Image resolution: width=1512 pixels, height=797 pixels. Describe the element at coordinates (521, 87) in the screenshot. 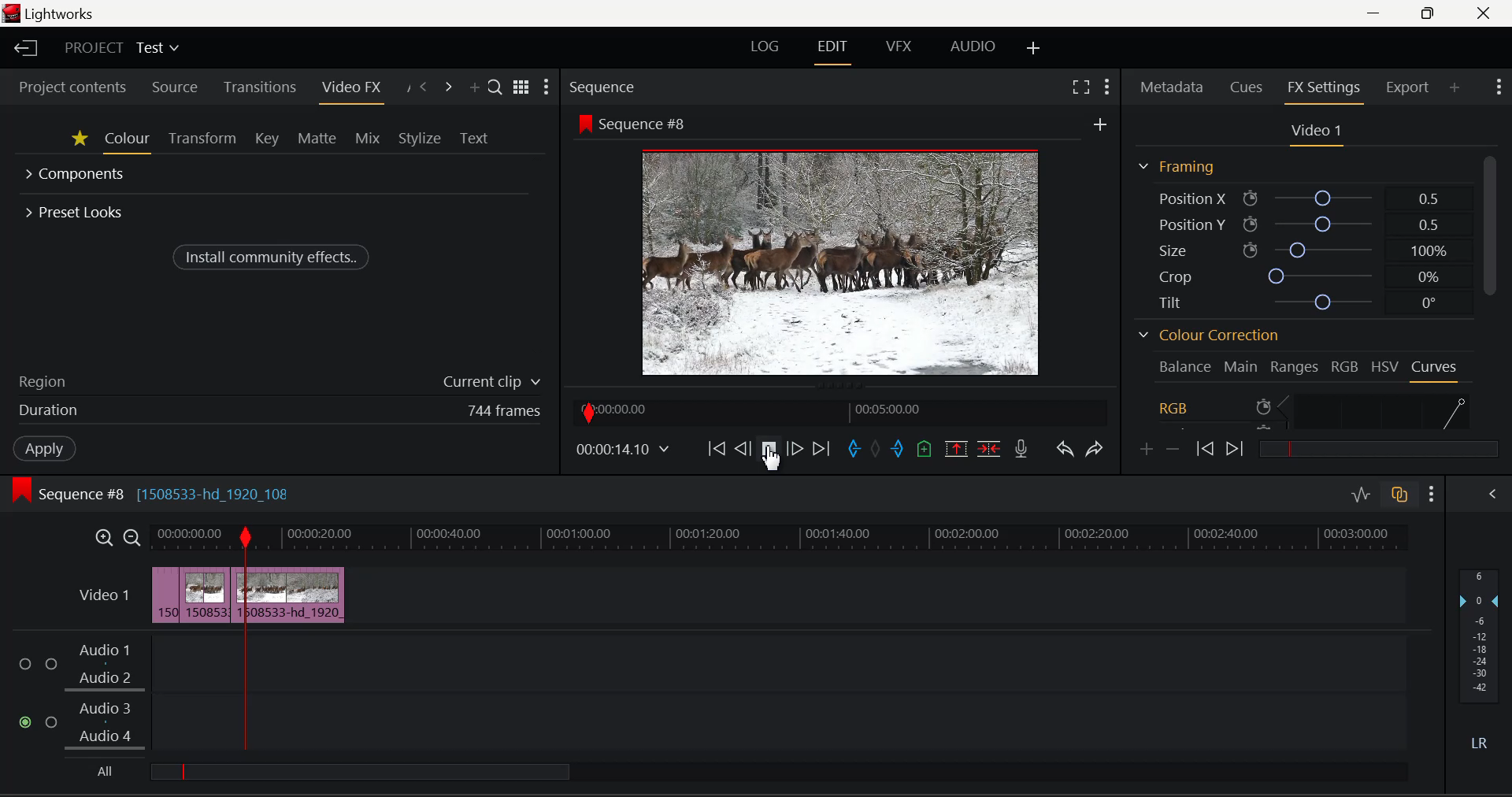

I see `Toggle between list and title view` at that location.